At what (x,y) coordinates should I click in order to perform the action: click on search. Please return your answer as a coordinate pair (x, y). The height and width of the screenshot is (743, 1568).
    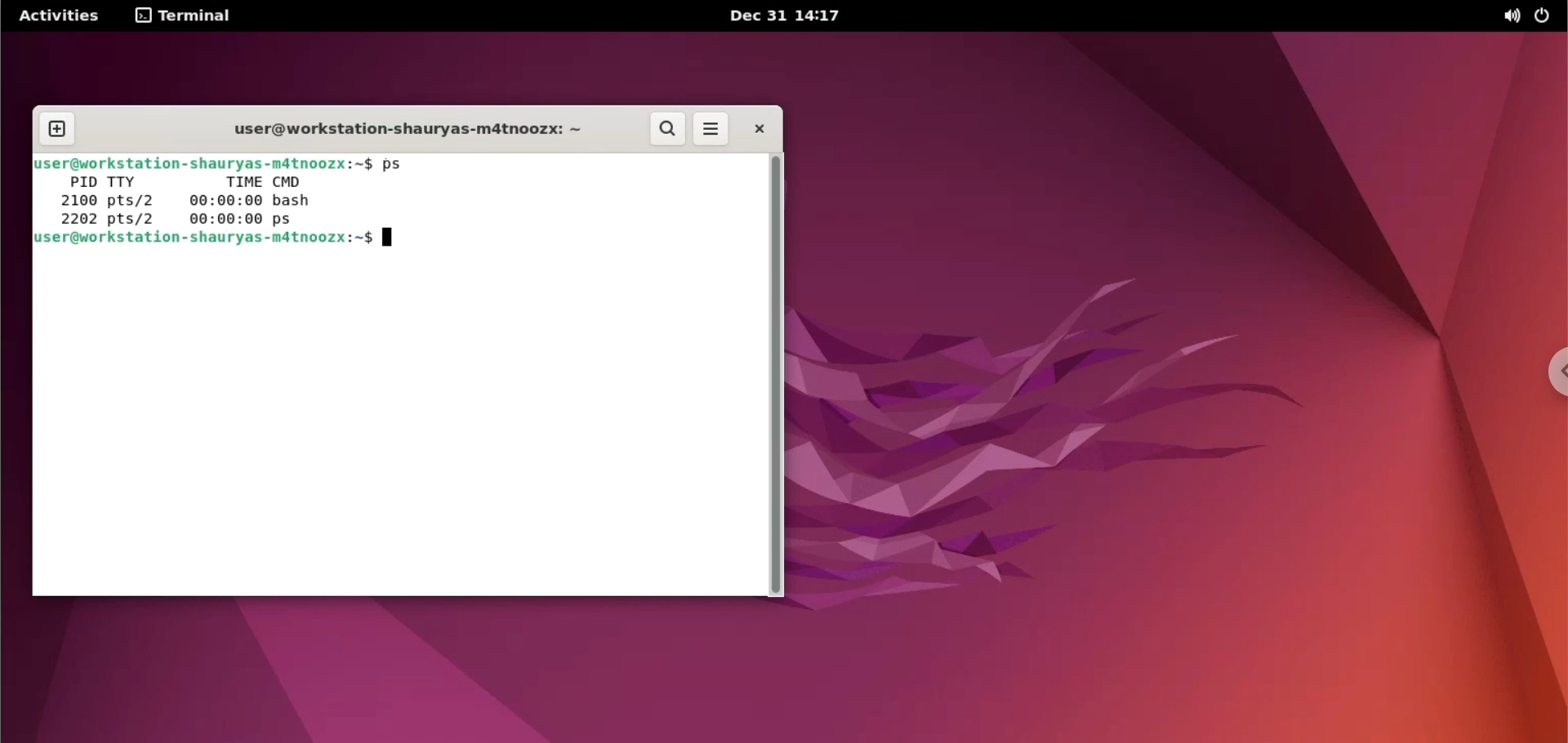
    Looking at the image, I should click on (666, 130).